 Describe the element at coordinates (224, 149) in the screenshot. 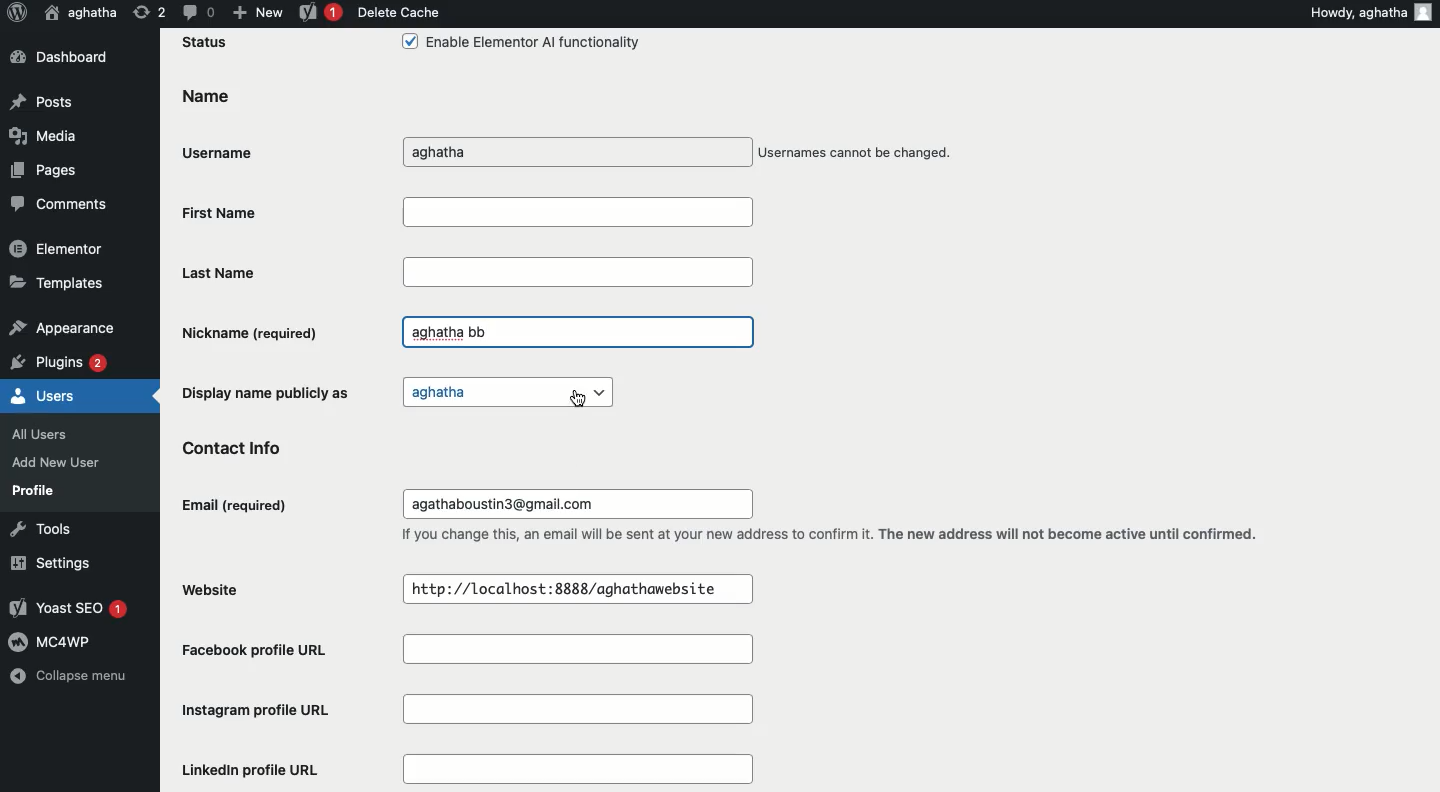

I see `Username` at that location.